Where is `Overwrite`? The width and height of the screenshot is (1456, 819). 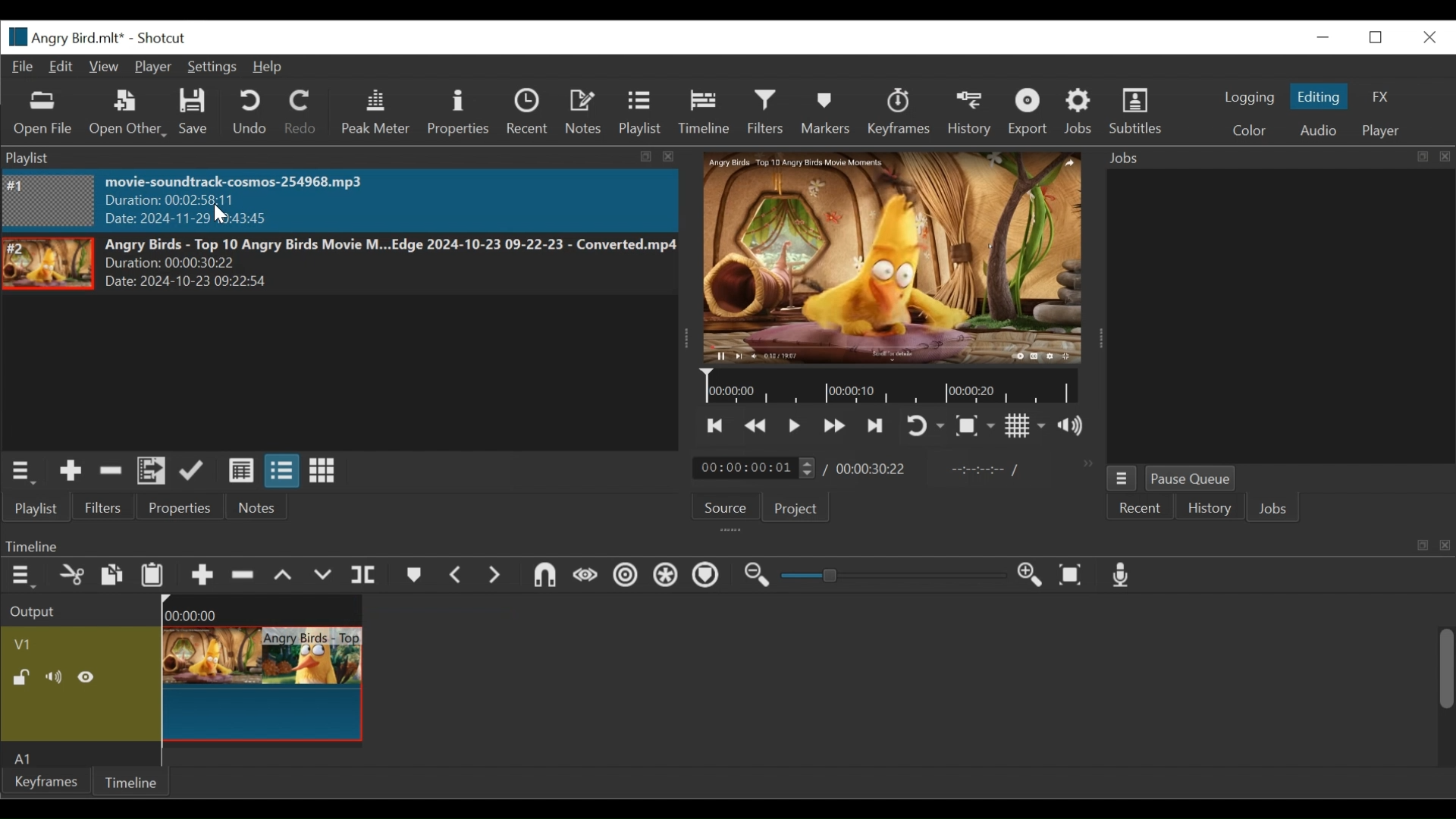
Overwrite is located at coordinates (324, 576).